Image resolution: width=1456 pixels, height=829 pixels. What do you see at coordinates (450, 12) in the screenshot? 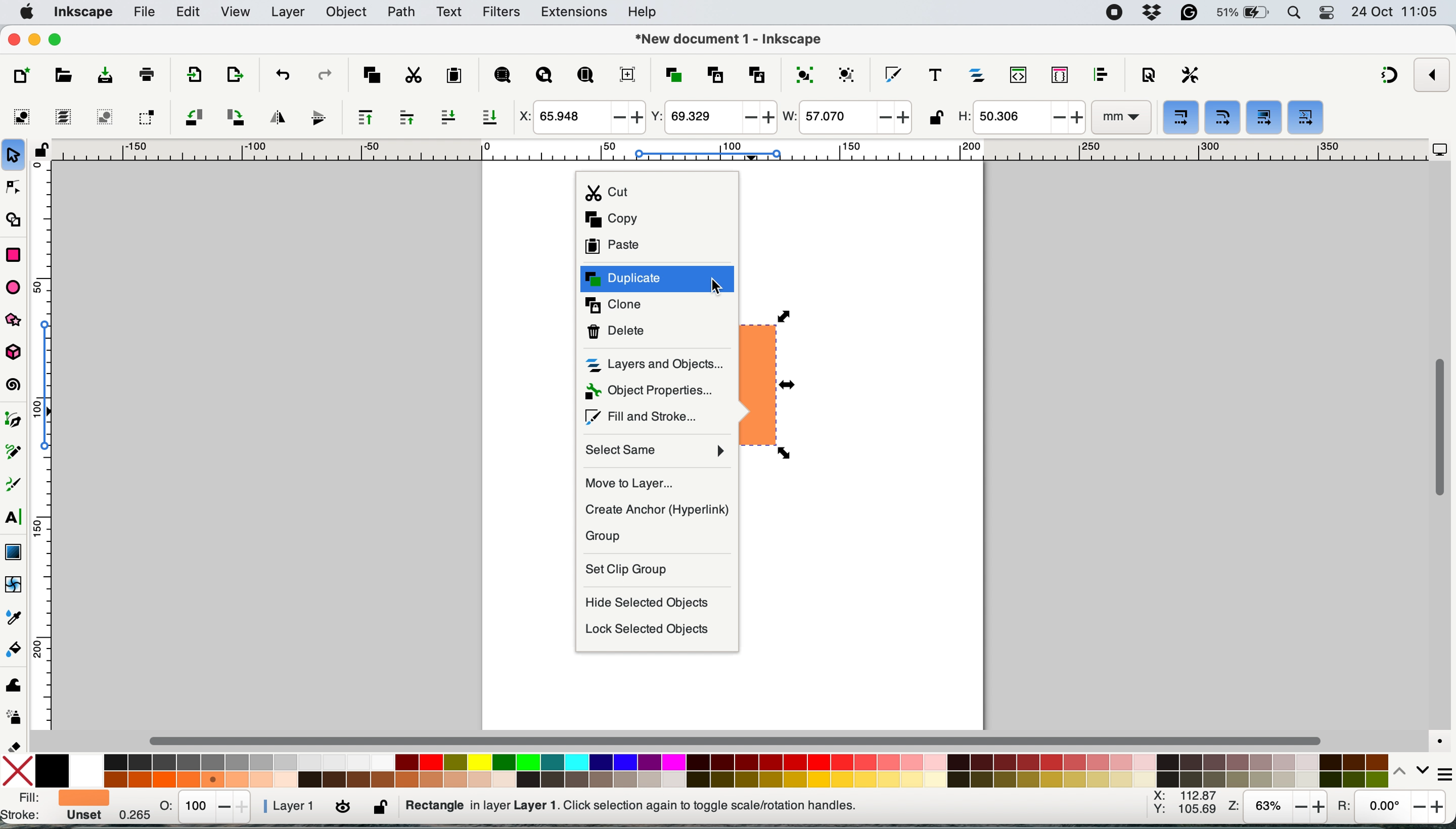
I see `text` at bounding box center [450, 12].